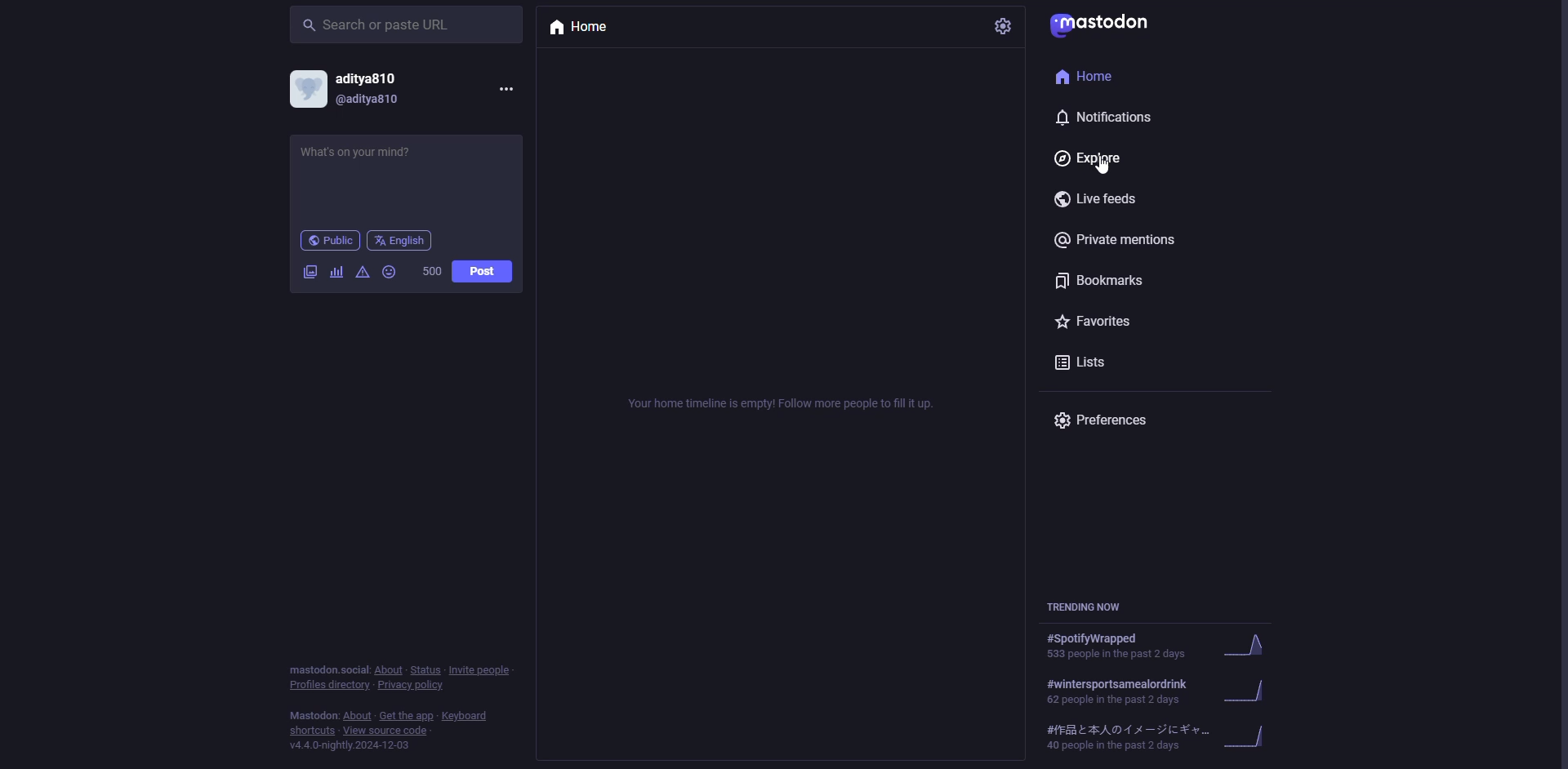 The width and height of the screenshot is (1568, 769). Describe the element at coordinates (1100, 321) in the screenshot. I see `favorites` at that location.